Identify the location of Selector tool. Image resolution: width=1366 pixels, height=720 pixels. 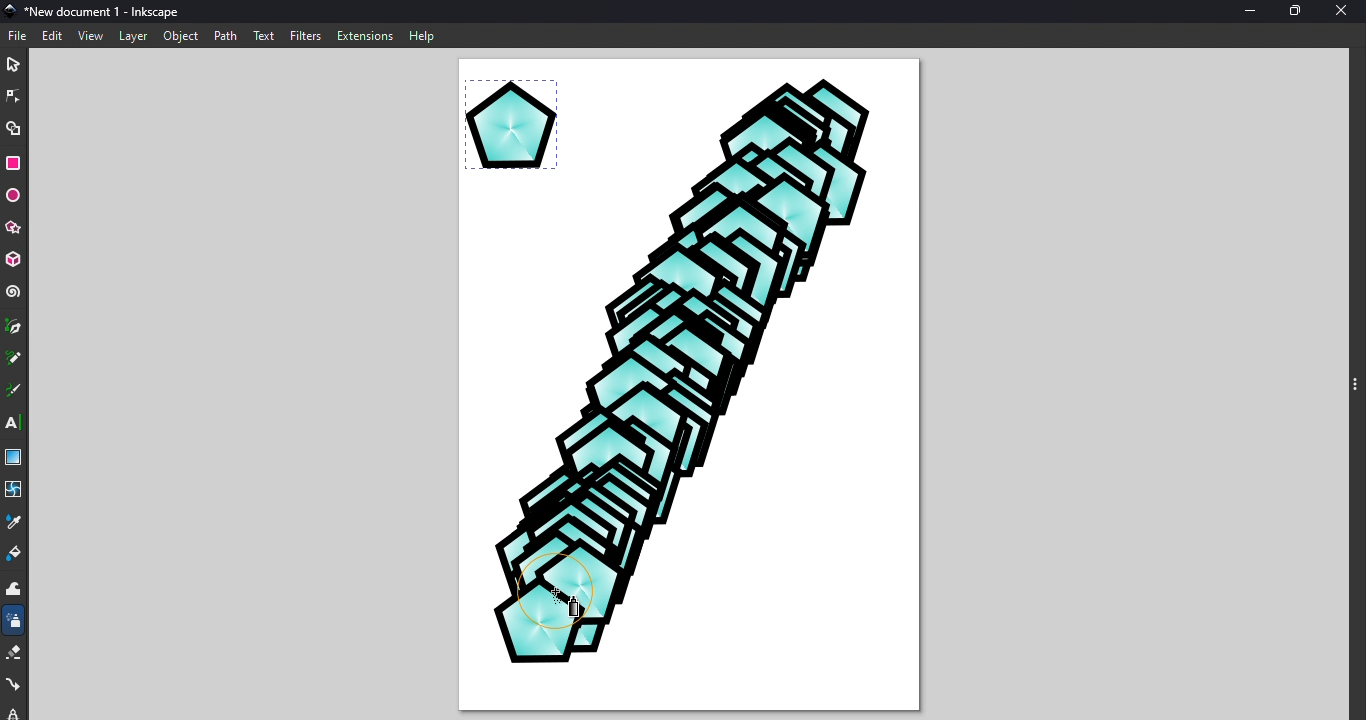
(13, 63).